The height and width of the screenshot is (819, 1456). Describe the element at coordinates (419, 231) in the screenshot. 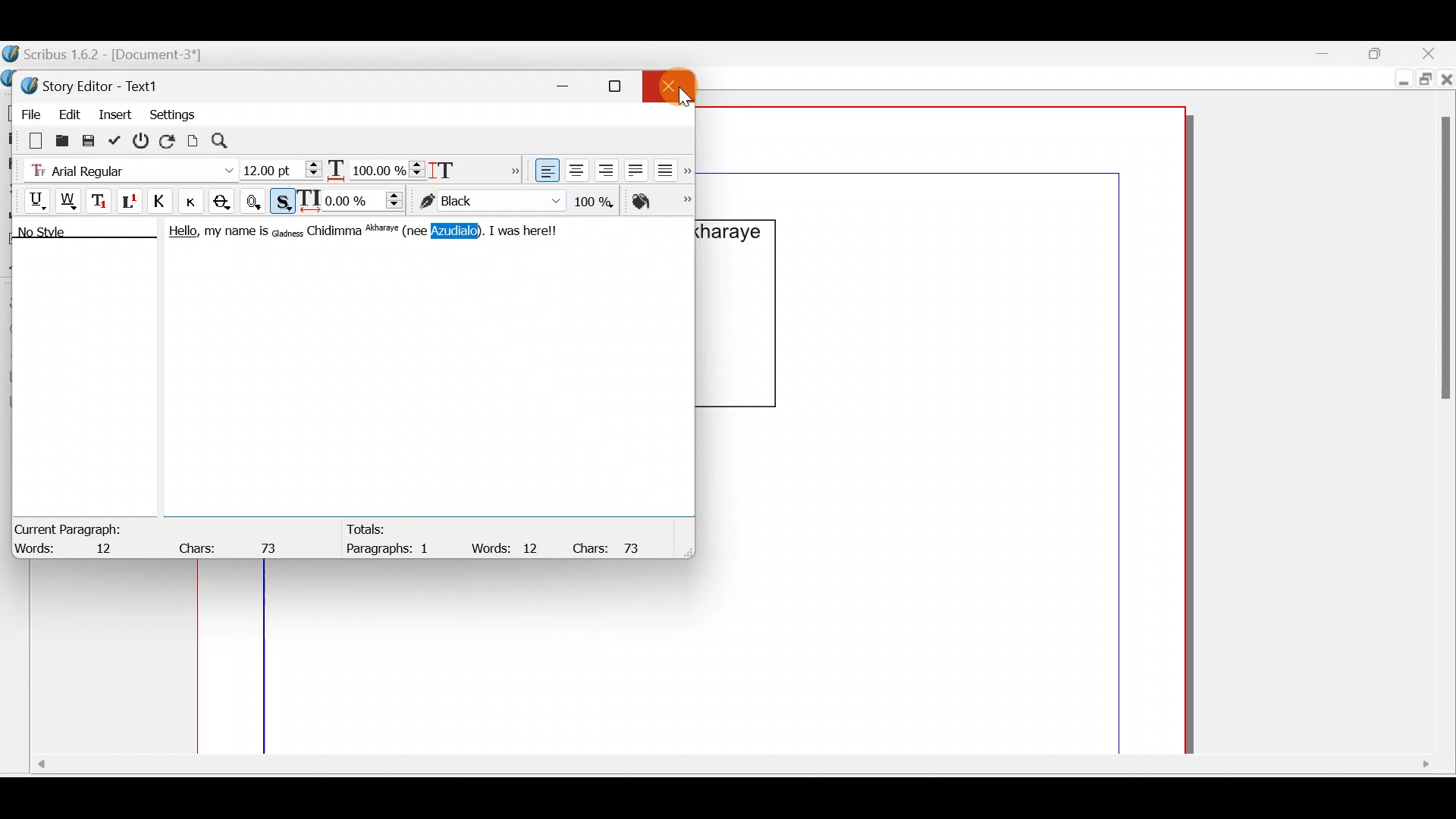

I see `(nee` at that location.